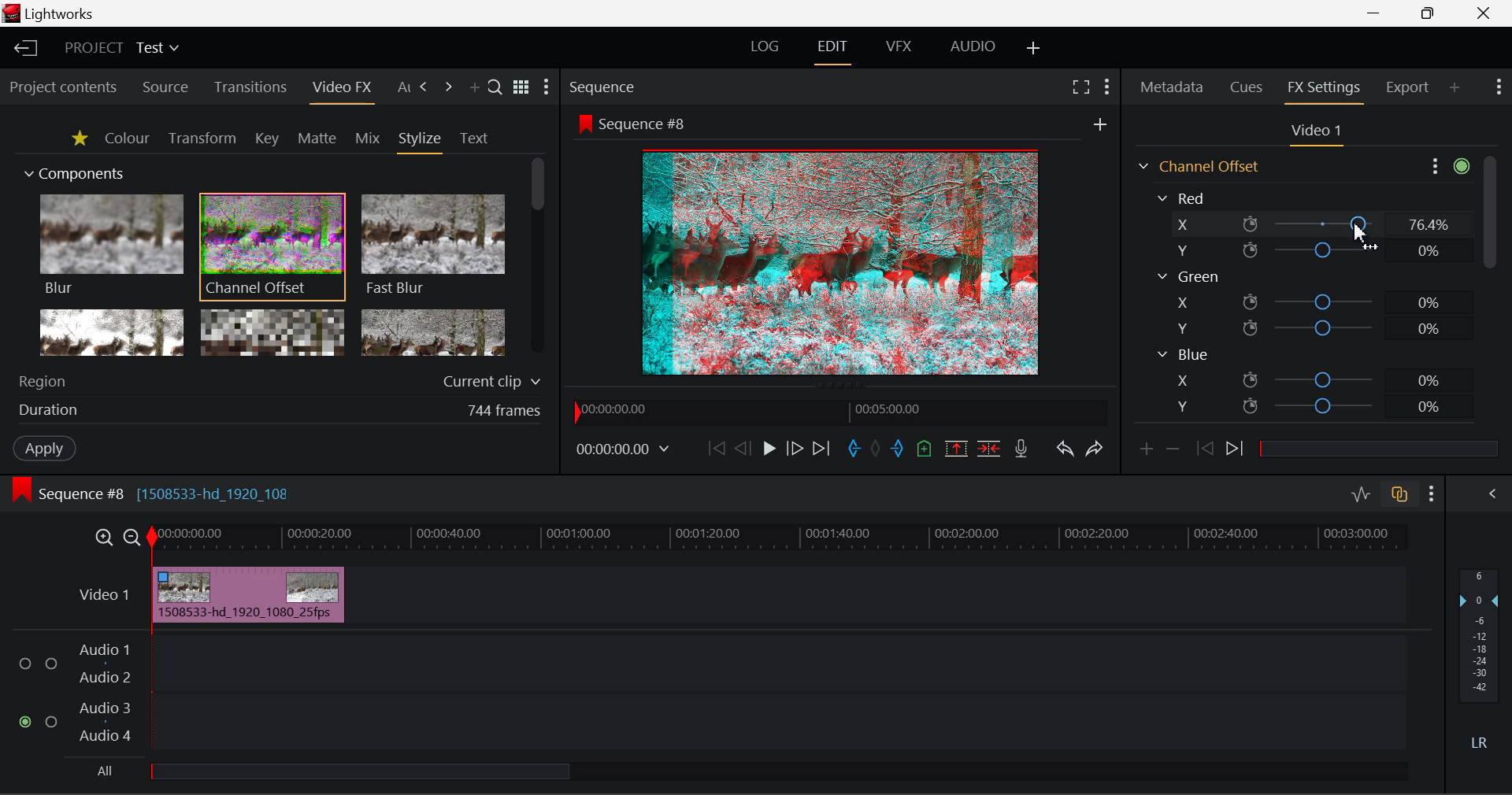 The height and width of the screenshot is (795, 1512). I want to click on Delete/Cut, so click(991, 449).